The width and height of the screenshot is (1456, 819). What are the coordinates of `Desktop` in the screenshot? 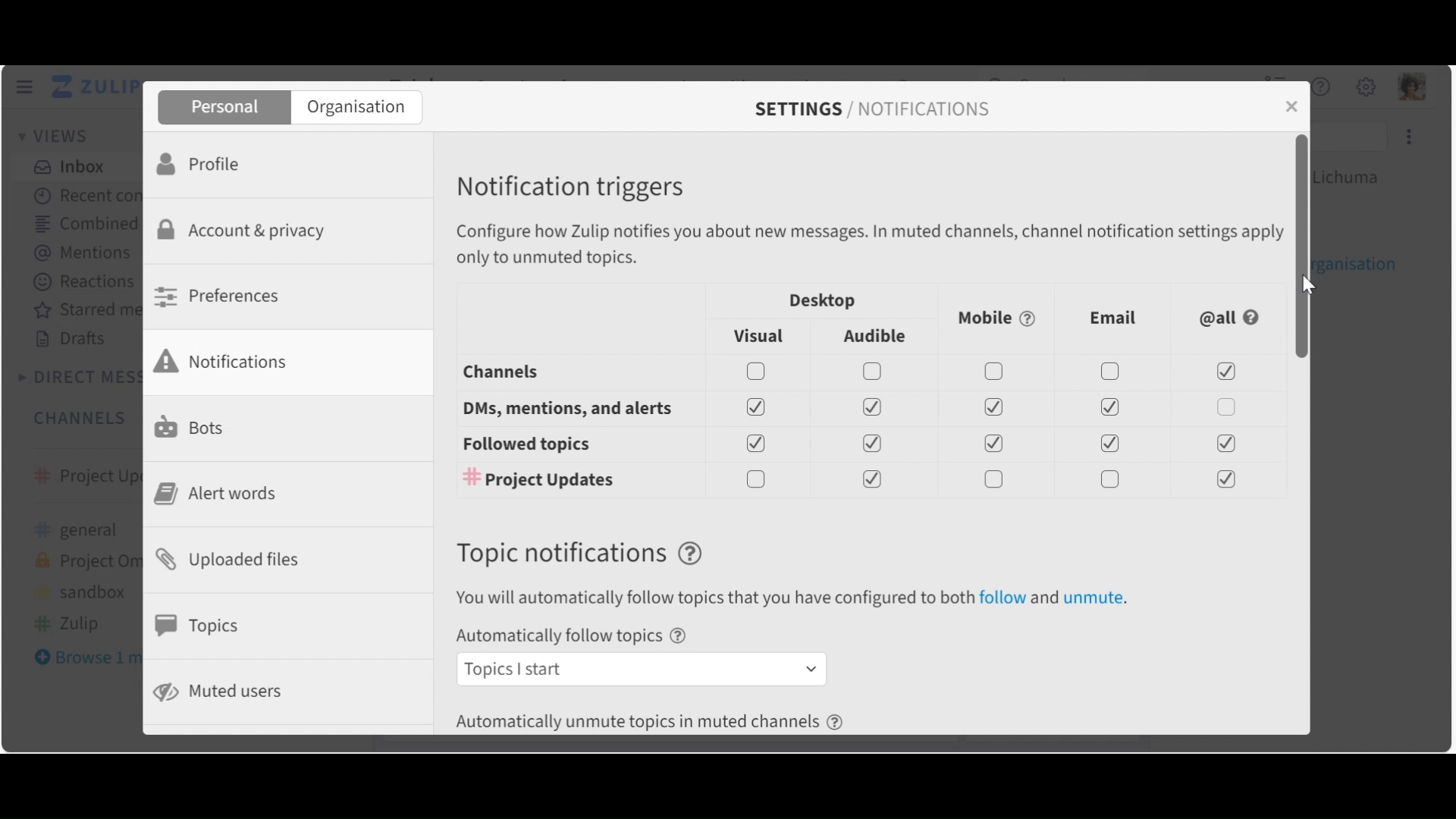 It's located at (818, 302).